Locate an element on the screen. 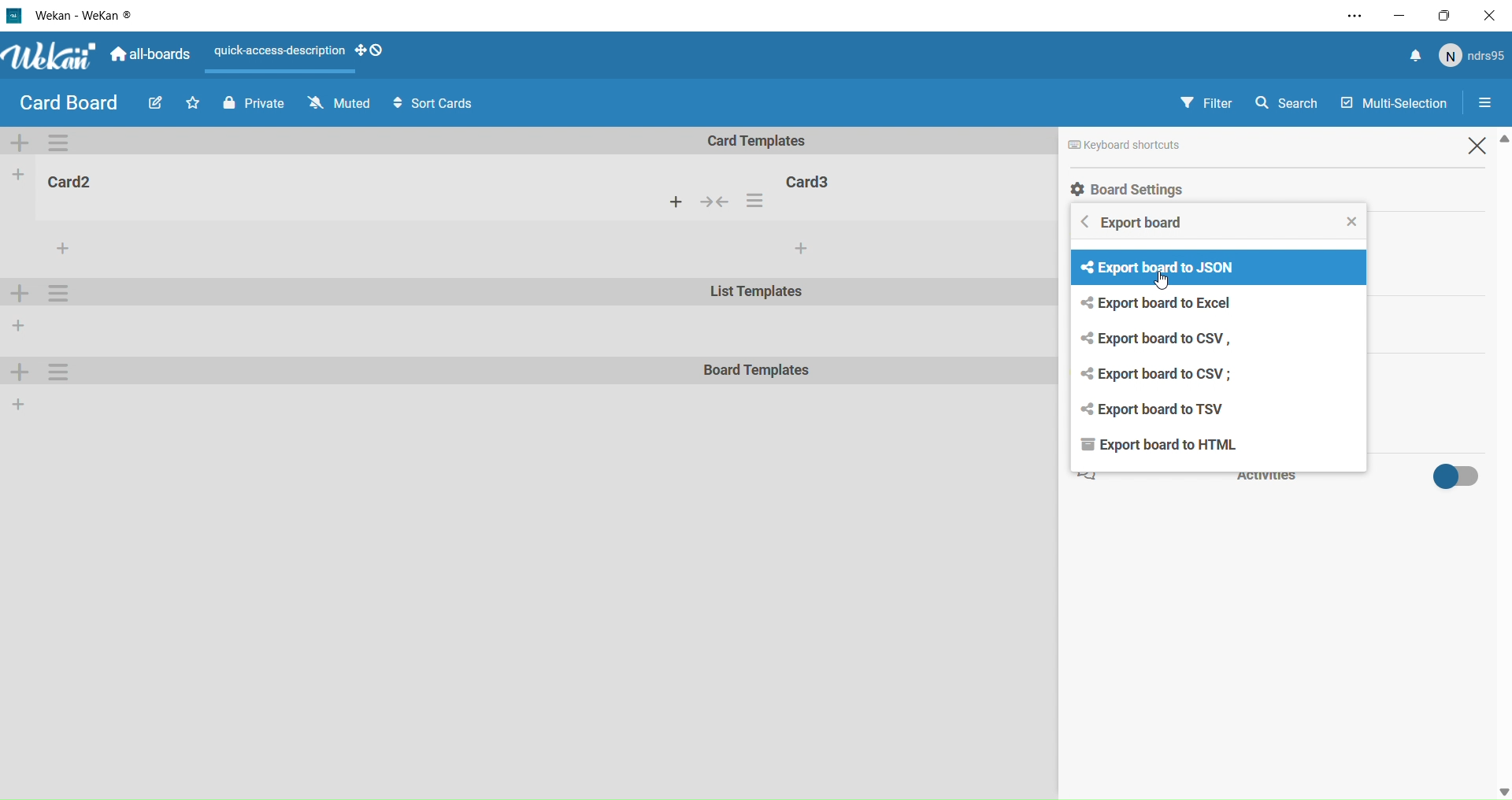 The height and width of the screenshot is (800, 1512).  is located at coordinates (17, 329).